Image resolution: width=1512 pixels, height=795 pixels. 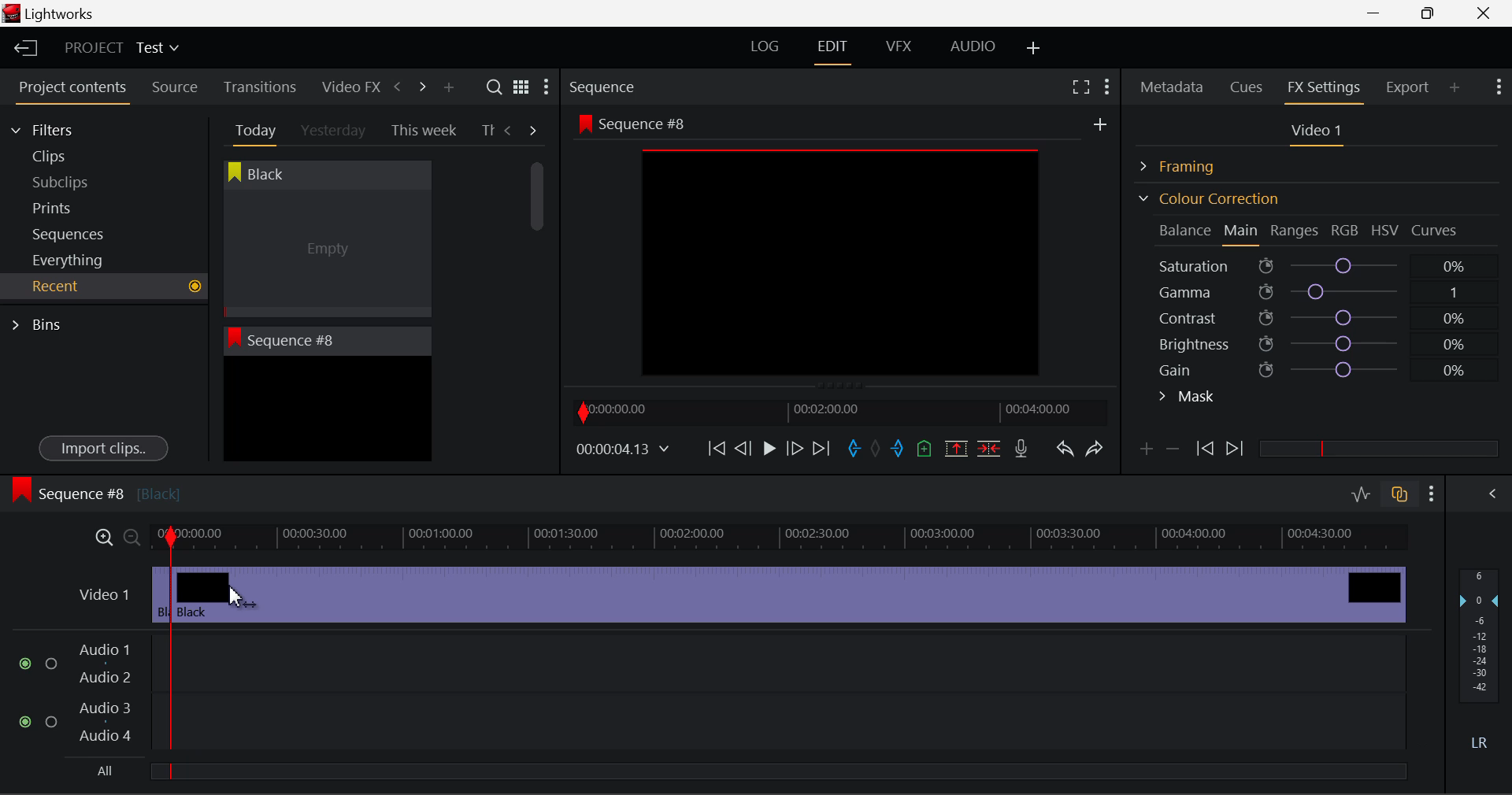 I want to click on Scroll Bar, so click(x=538, y=299).